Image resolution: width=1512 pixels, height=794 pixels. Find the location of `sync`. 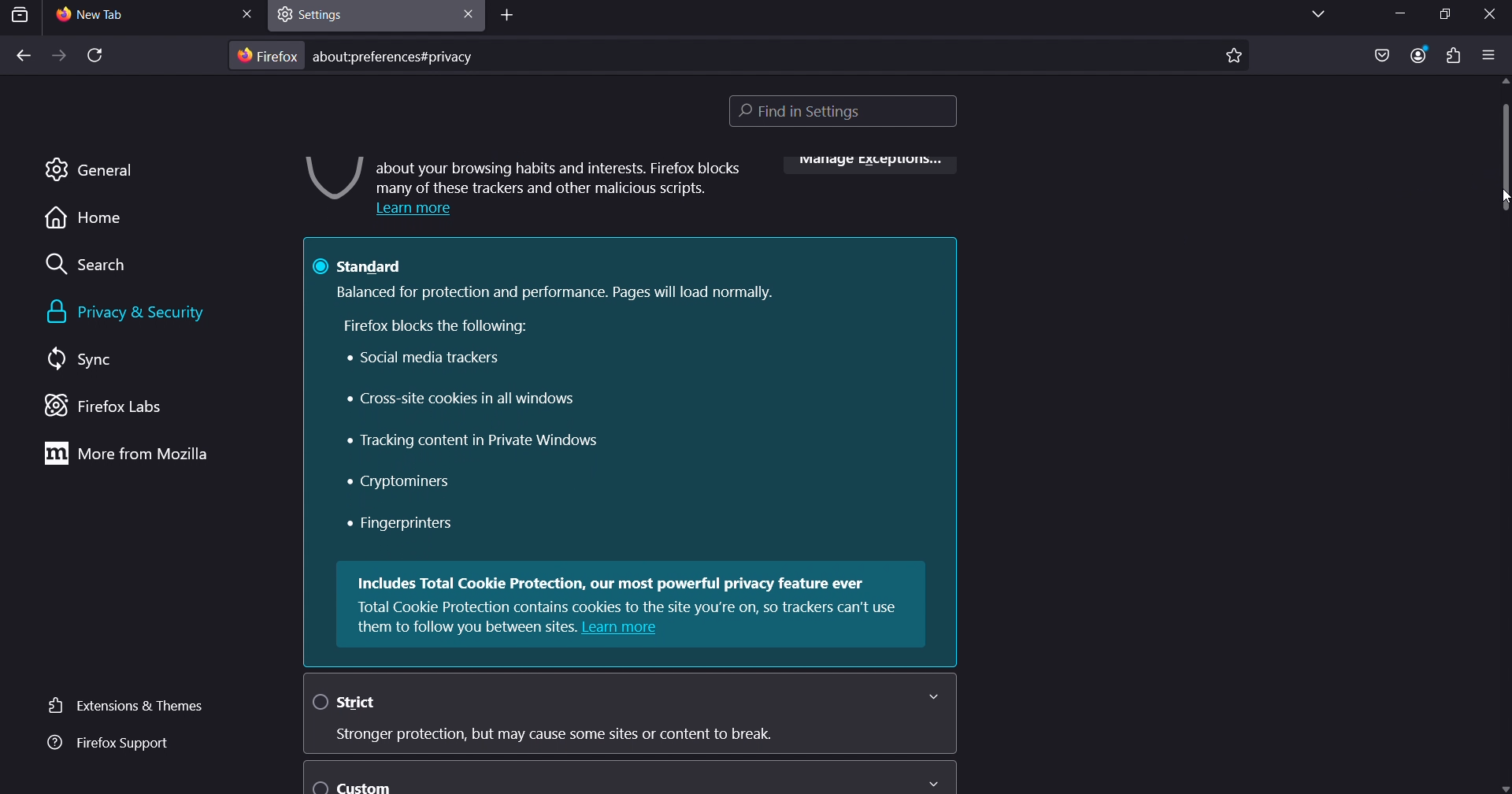

sync is located at coordinates (83, 360).